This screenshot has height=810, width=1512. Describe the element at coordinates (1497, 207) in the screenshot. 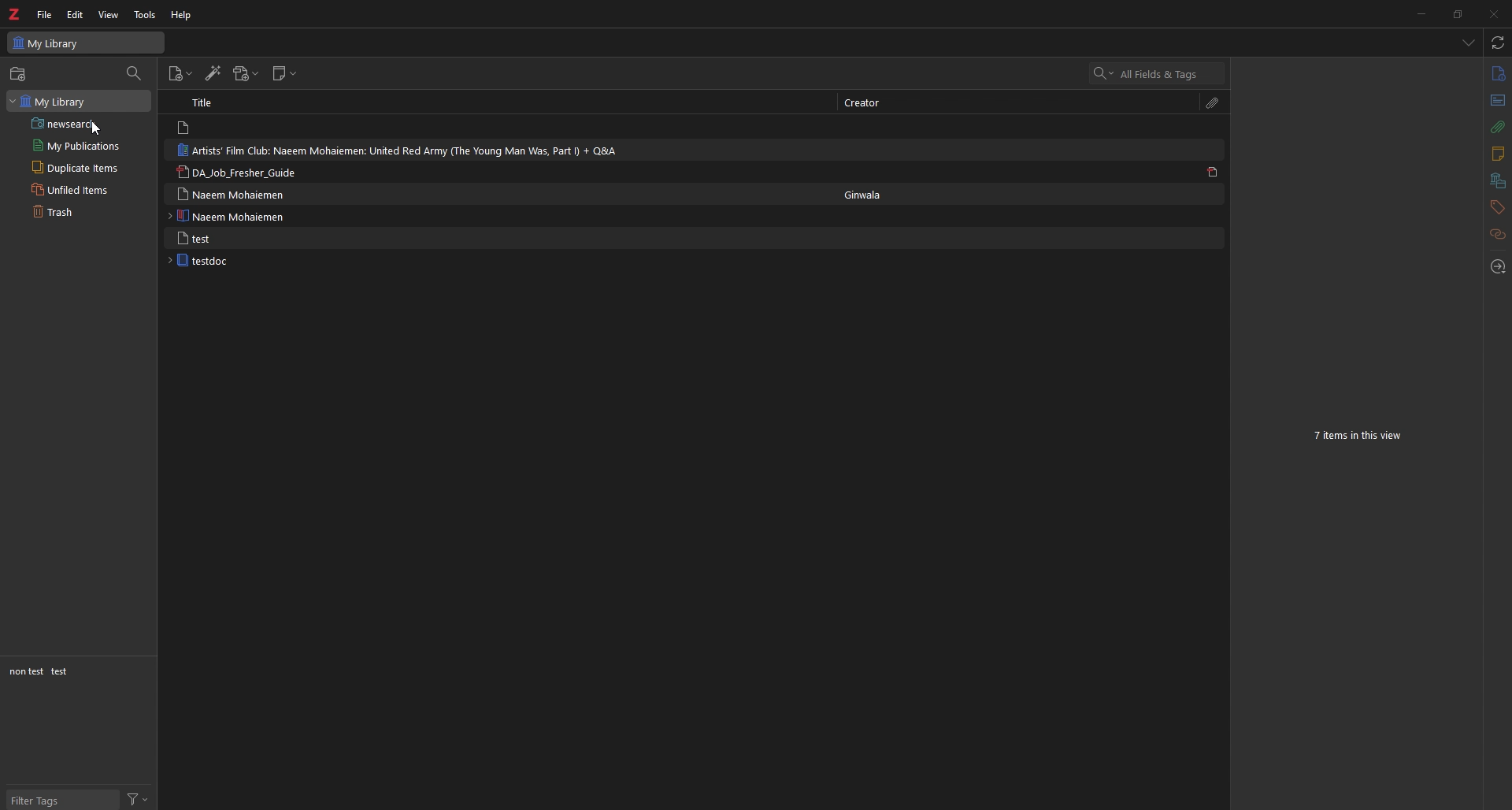

I see `tags` at that location.